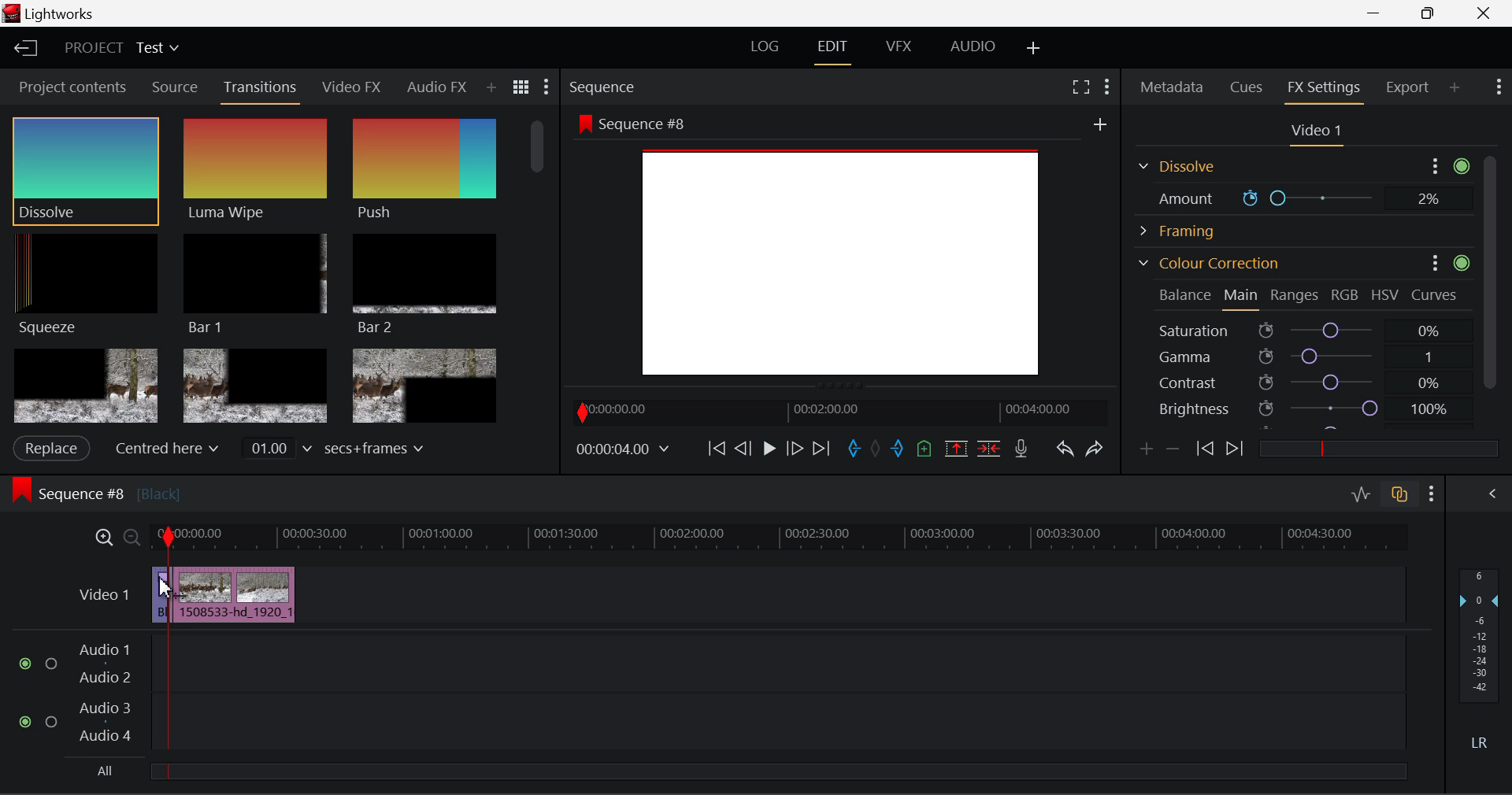 The width and height of the screenshot is (1512, 795). Describe the element at coordinates (1248, 85) in the screenshot. I see `Cues Panel` at that location.